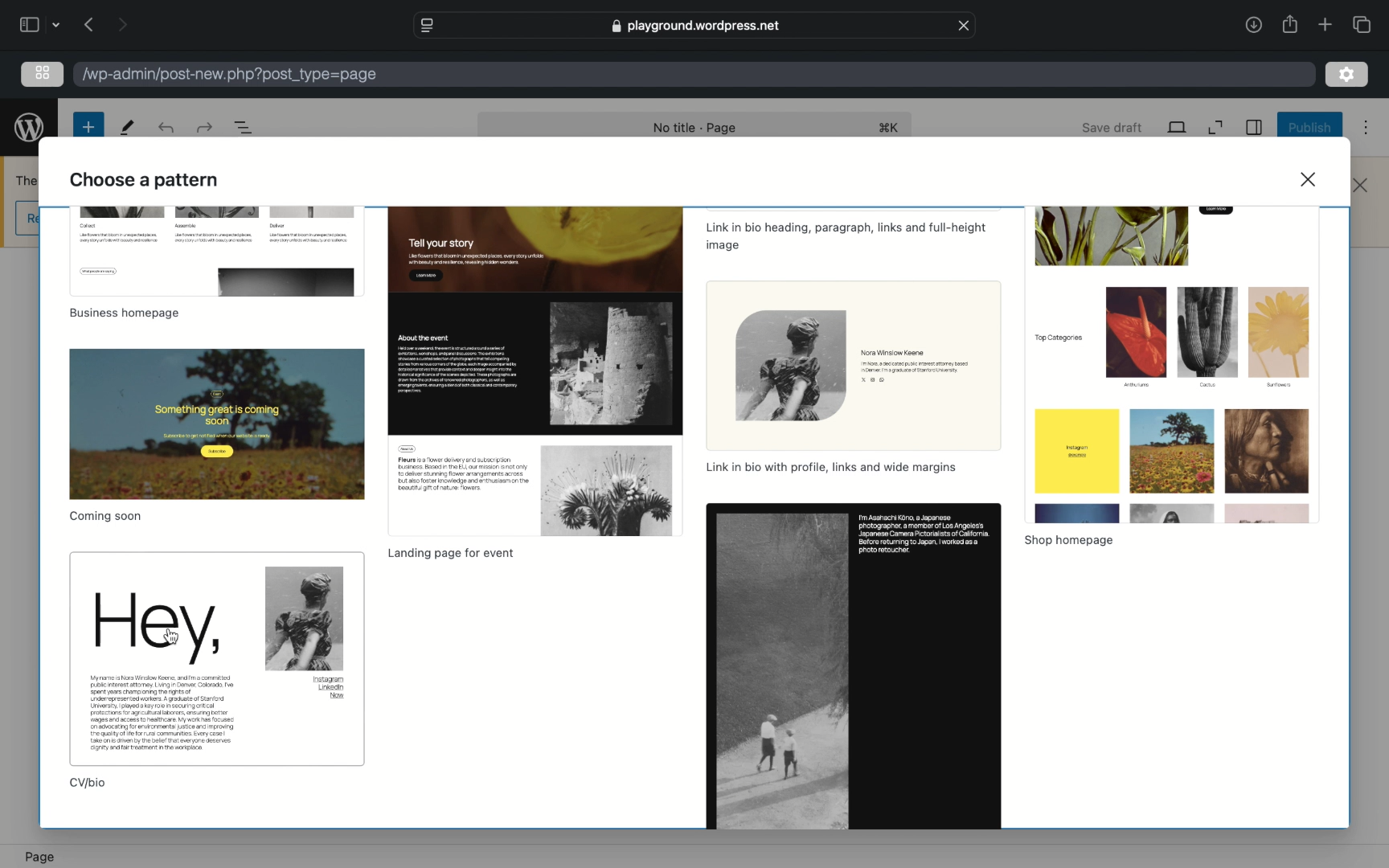  I want to click on settings, so click(1347, 76).